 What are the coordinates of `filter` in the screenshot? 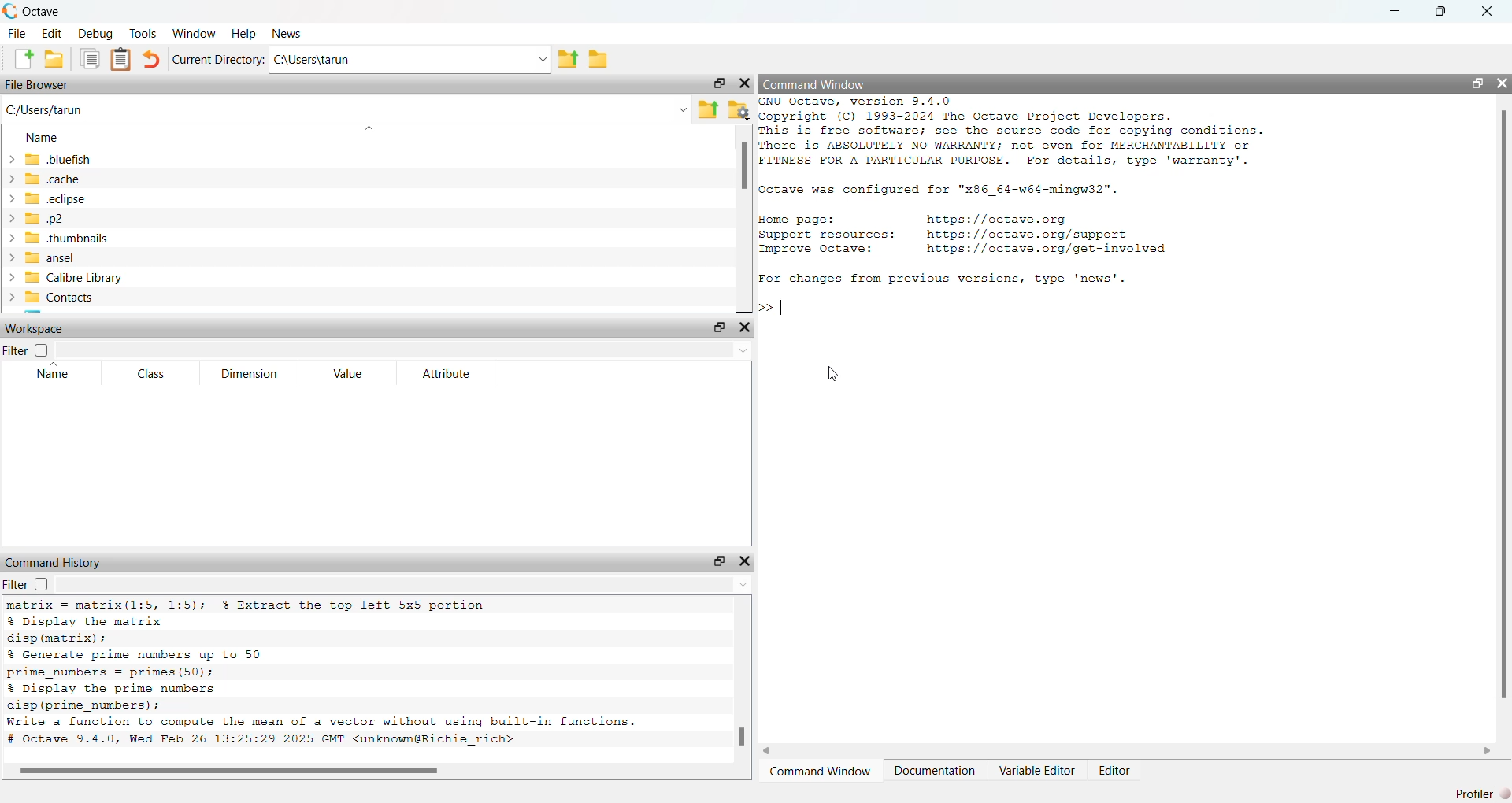 It's located at (27, 584).